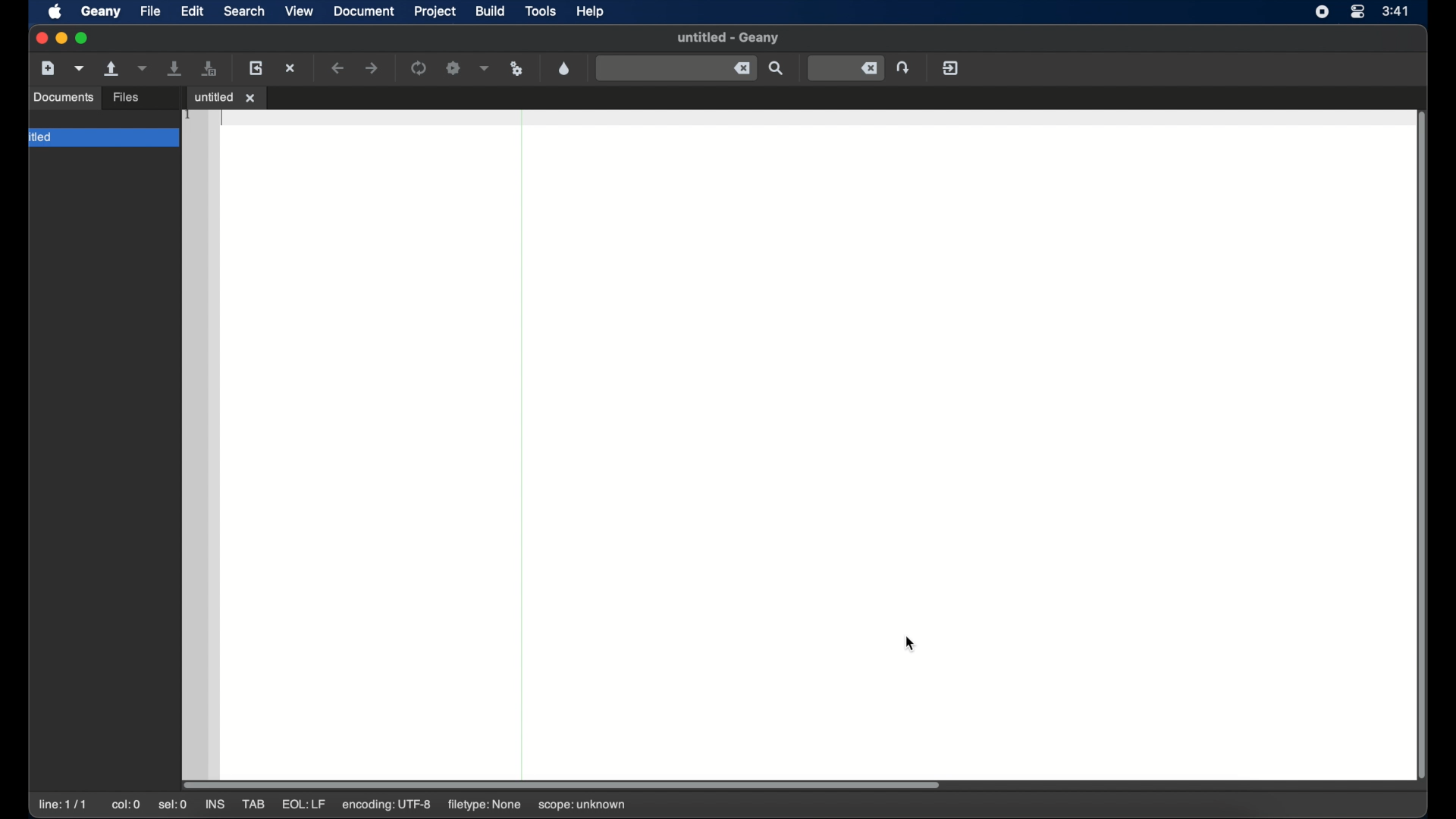 Image resolution: width=1456 pixels, height=819 pixels. I want to click on close, so click(40, 39).